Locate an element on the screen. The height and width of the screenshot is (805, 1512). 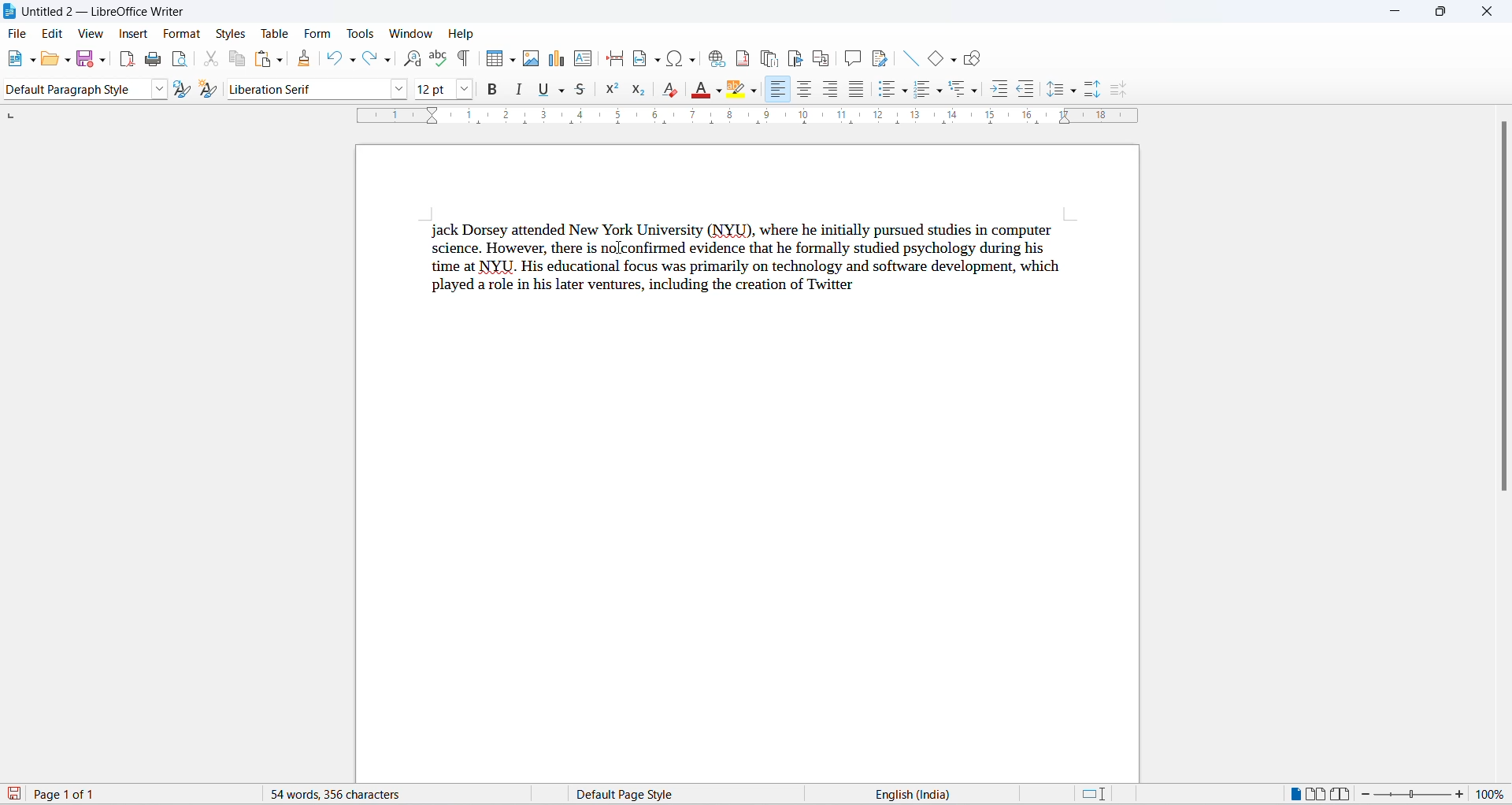
insert endnote is located at coordinates (767, 58).